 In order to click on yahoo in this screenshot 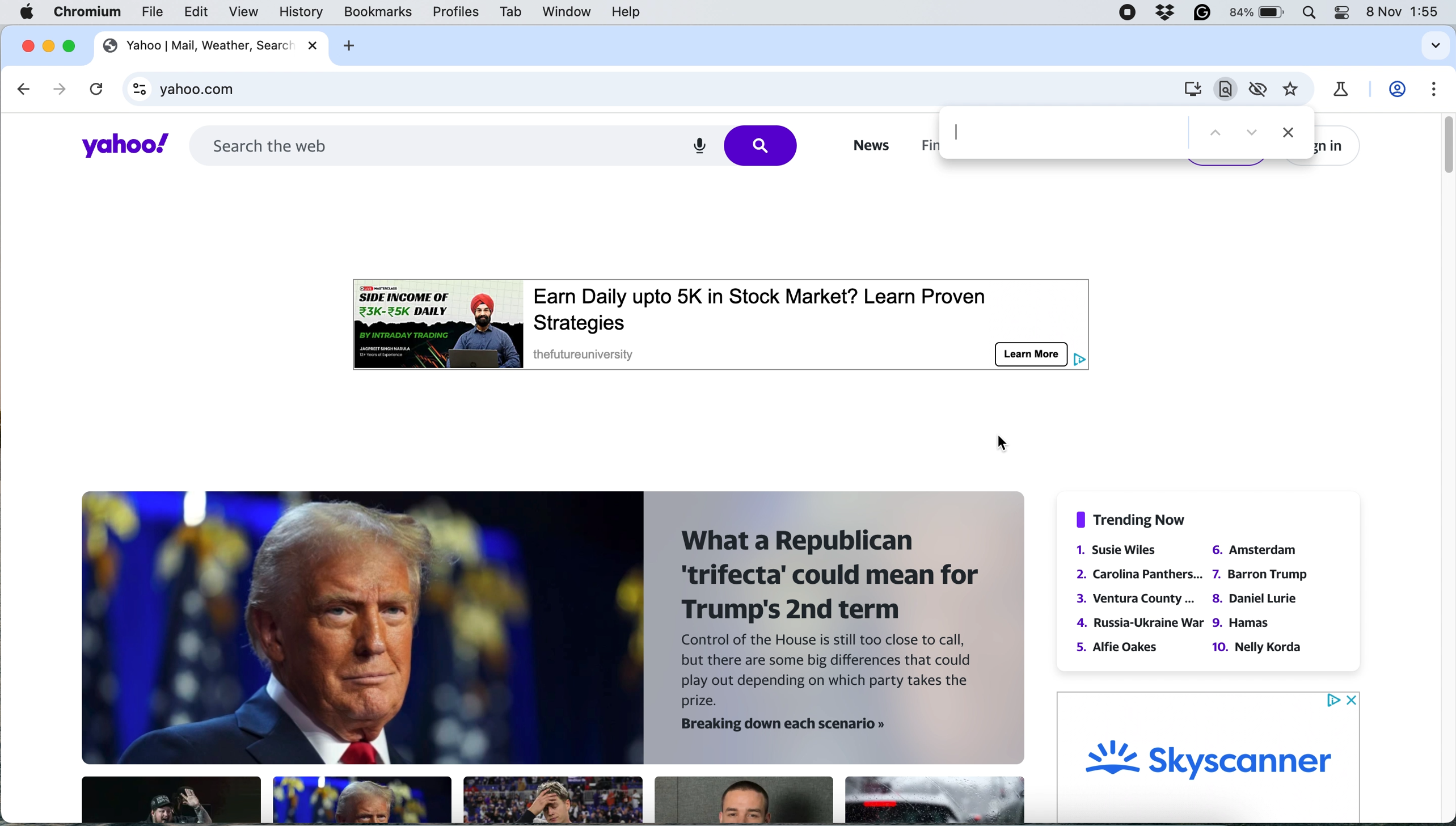, I will do `click(198, 44)`.